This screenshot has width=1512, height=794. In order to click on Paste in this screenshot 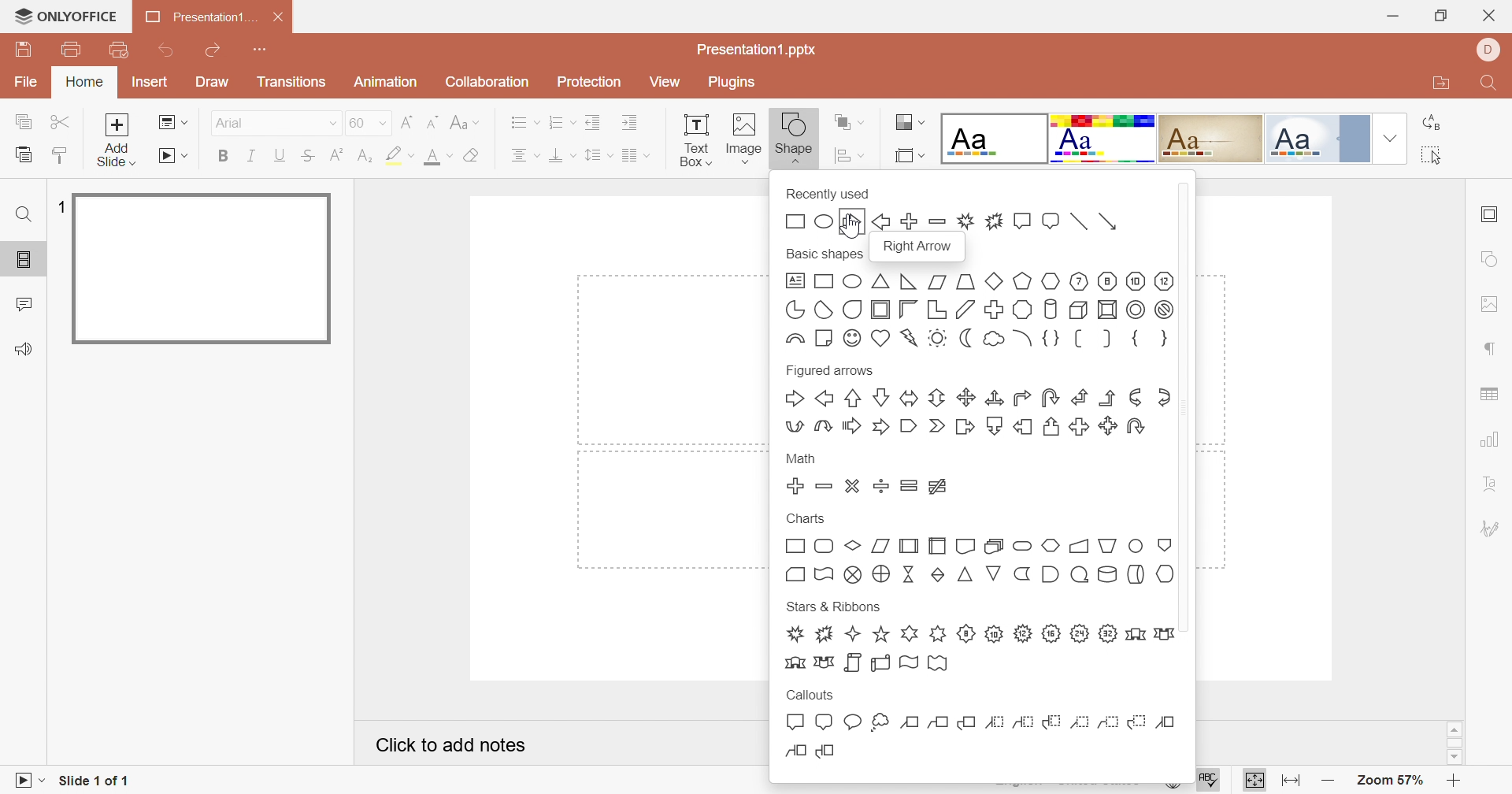, I will do `click(22, 154)`.